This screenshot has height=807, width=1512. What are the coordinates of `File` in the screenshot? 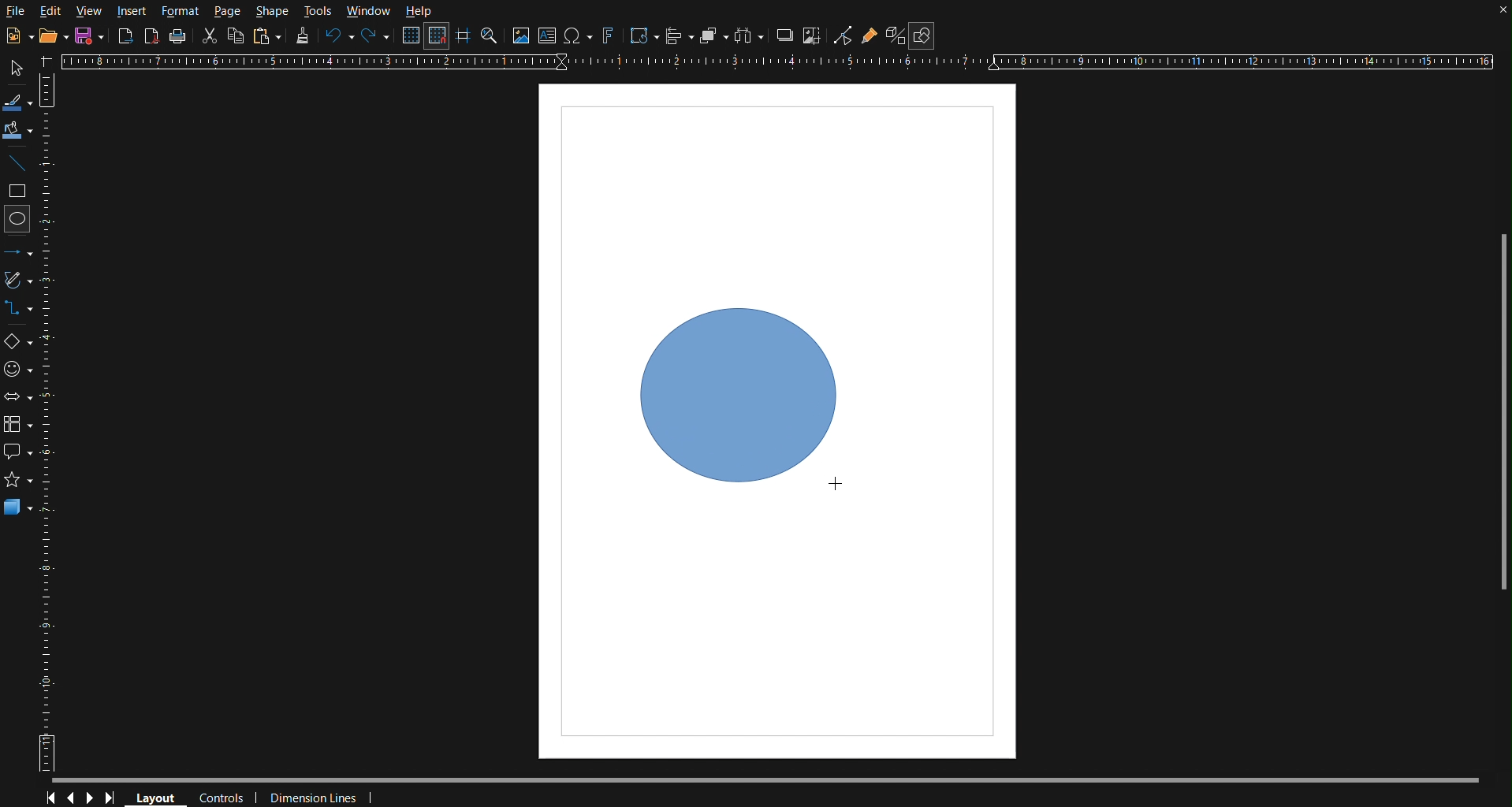 It's located at (17, 13).